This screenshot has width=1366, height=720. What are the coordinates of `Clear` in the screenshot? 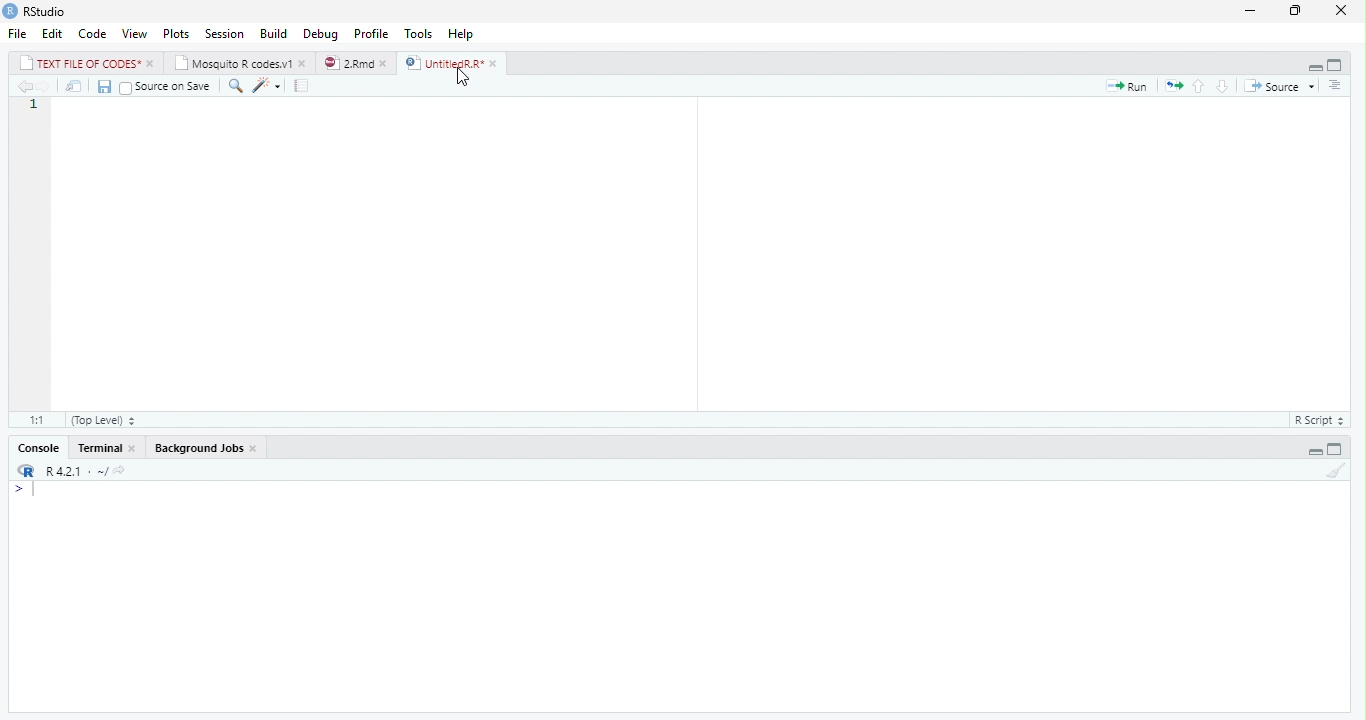 It's located at (1338, 472).